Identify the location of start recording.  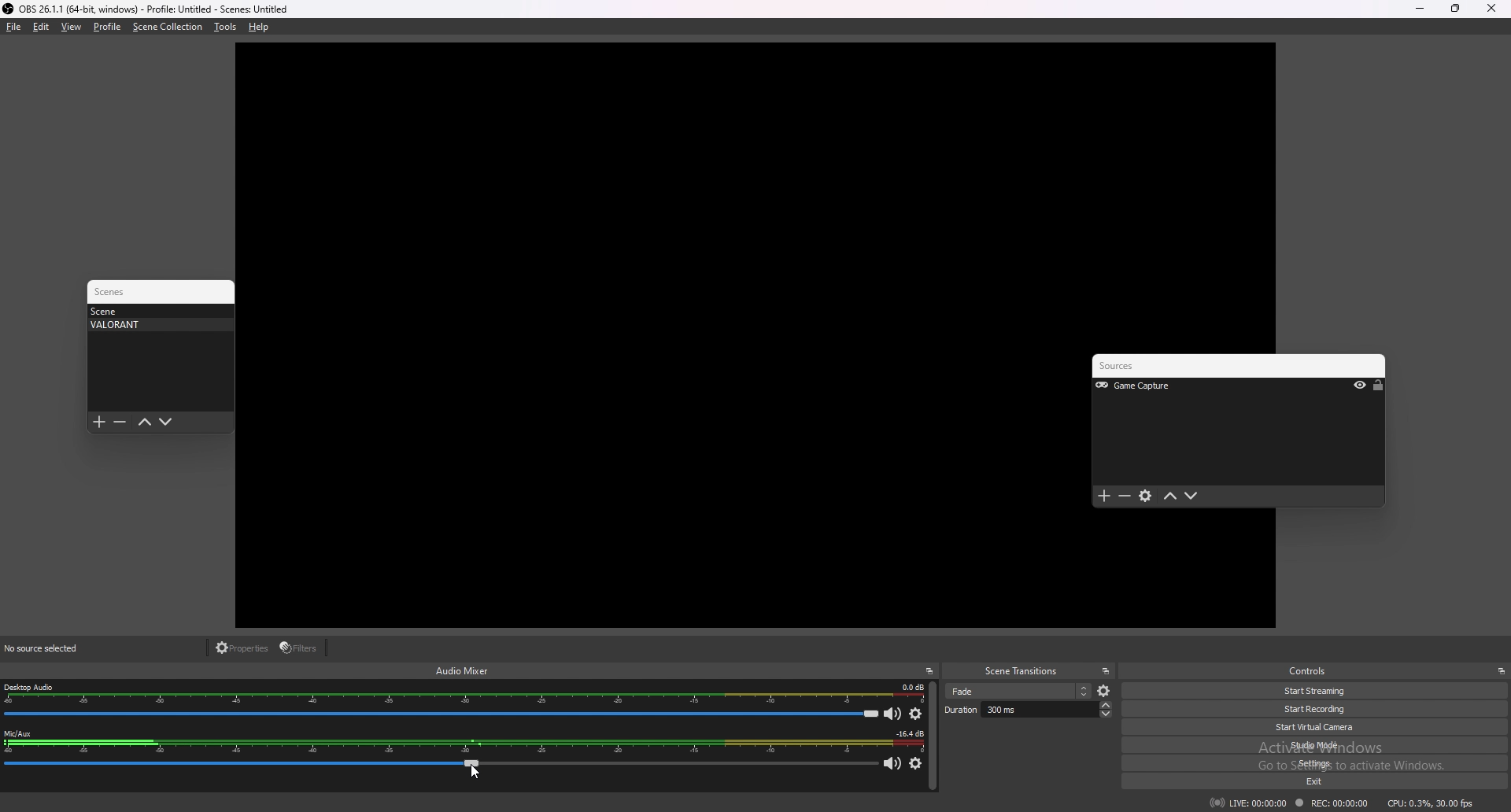
(1318, 709).